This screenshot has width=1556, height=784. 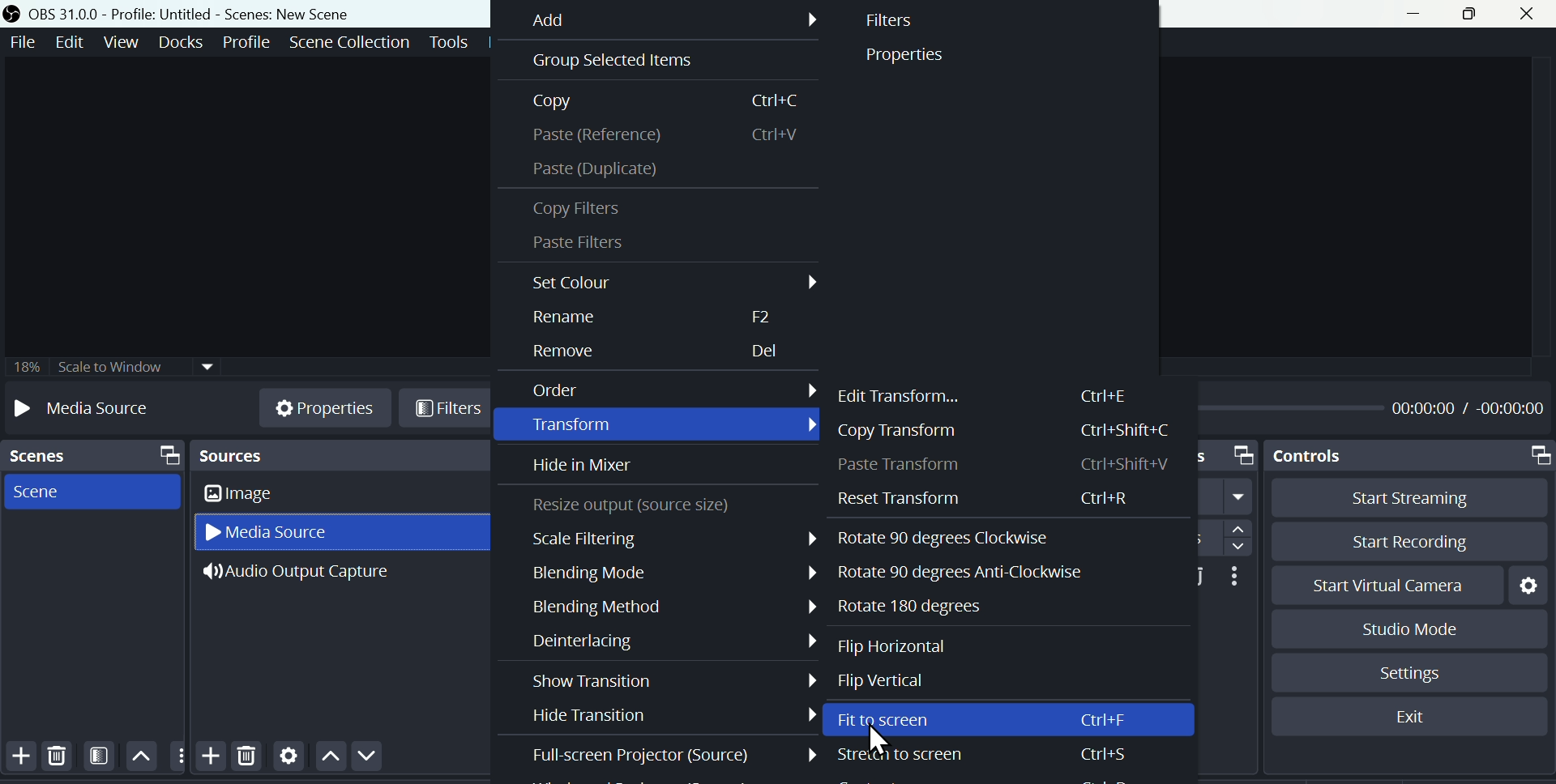 I want to click on maximise, so click(x=1473, y=15).